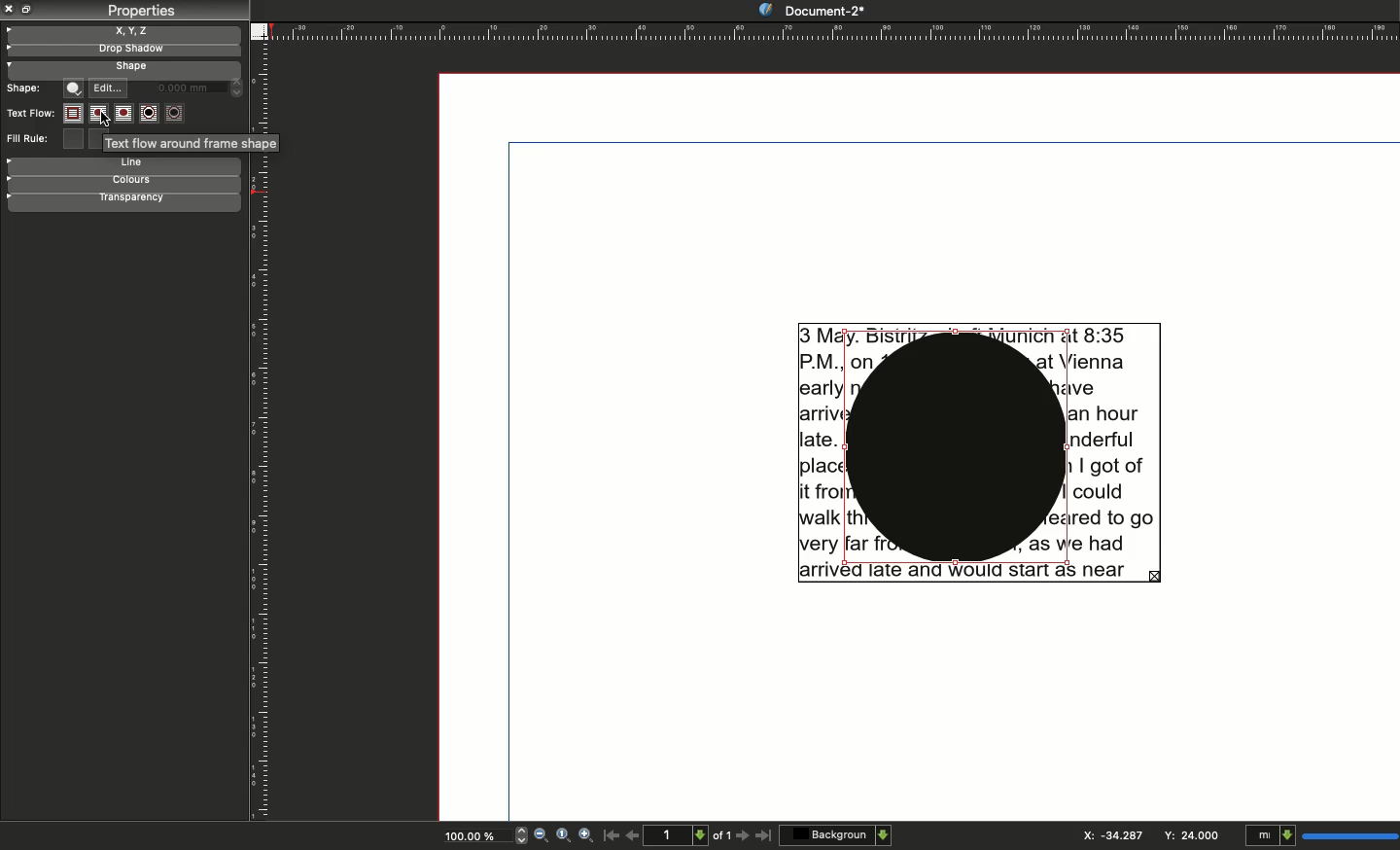 This screenshot has height=850, width=1400. What do you see at coordinates (123, 49) in the screenshot?
I see `Drop shadow` at bounding box center [123, 49].